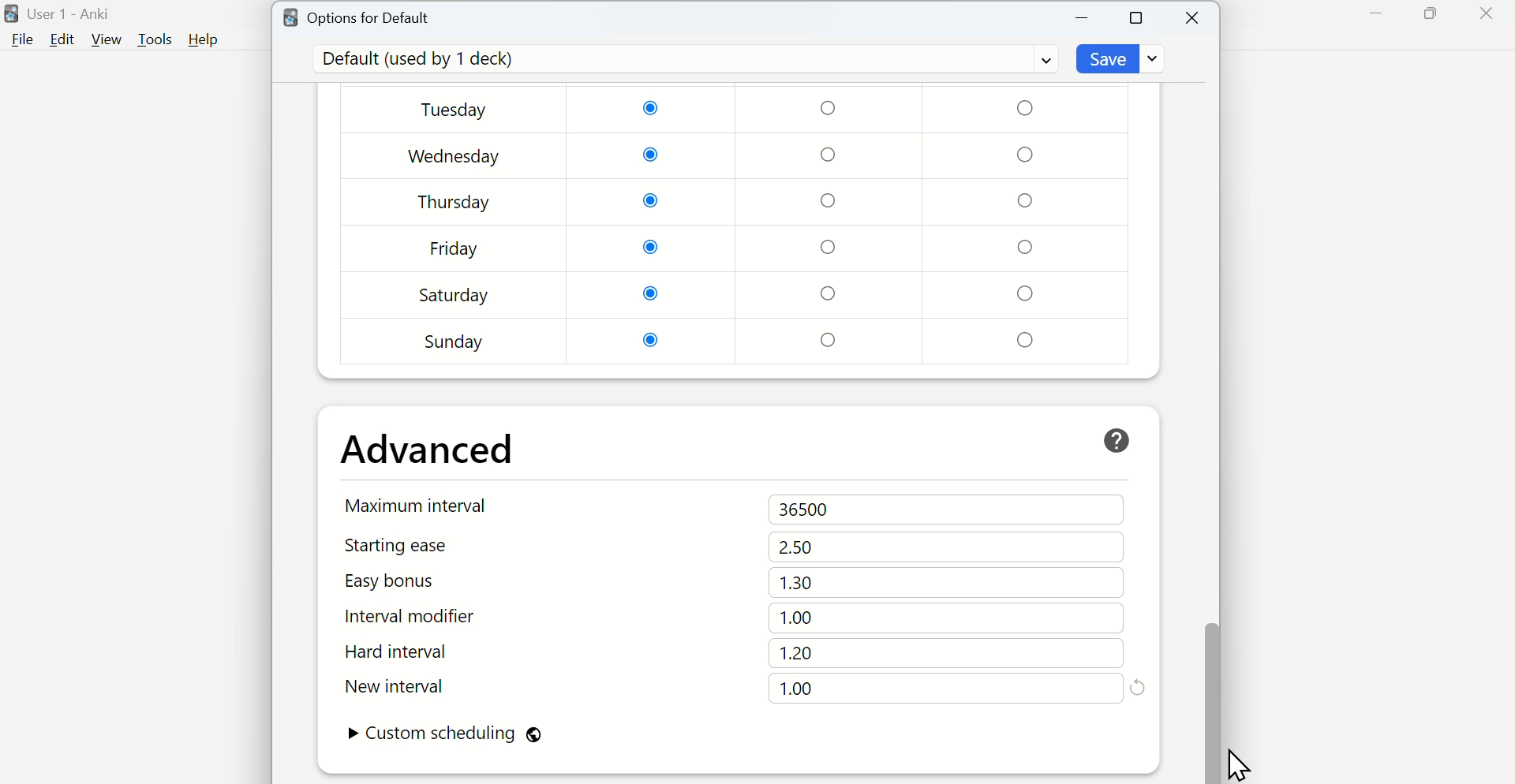 This screenshot has width=1515, height=784. What do you see at coordinates (796, 653) in the screenshot?
I see `1.20` at bounding box center [796, 653].